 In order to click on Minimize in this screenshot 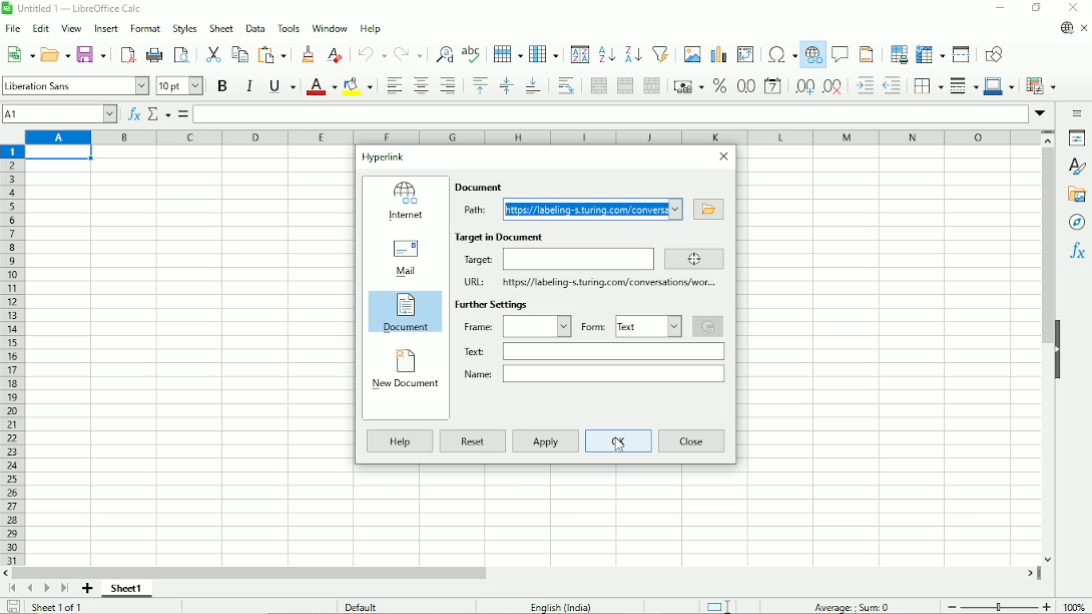, I will do `click(1000, 9)`.